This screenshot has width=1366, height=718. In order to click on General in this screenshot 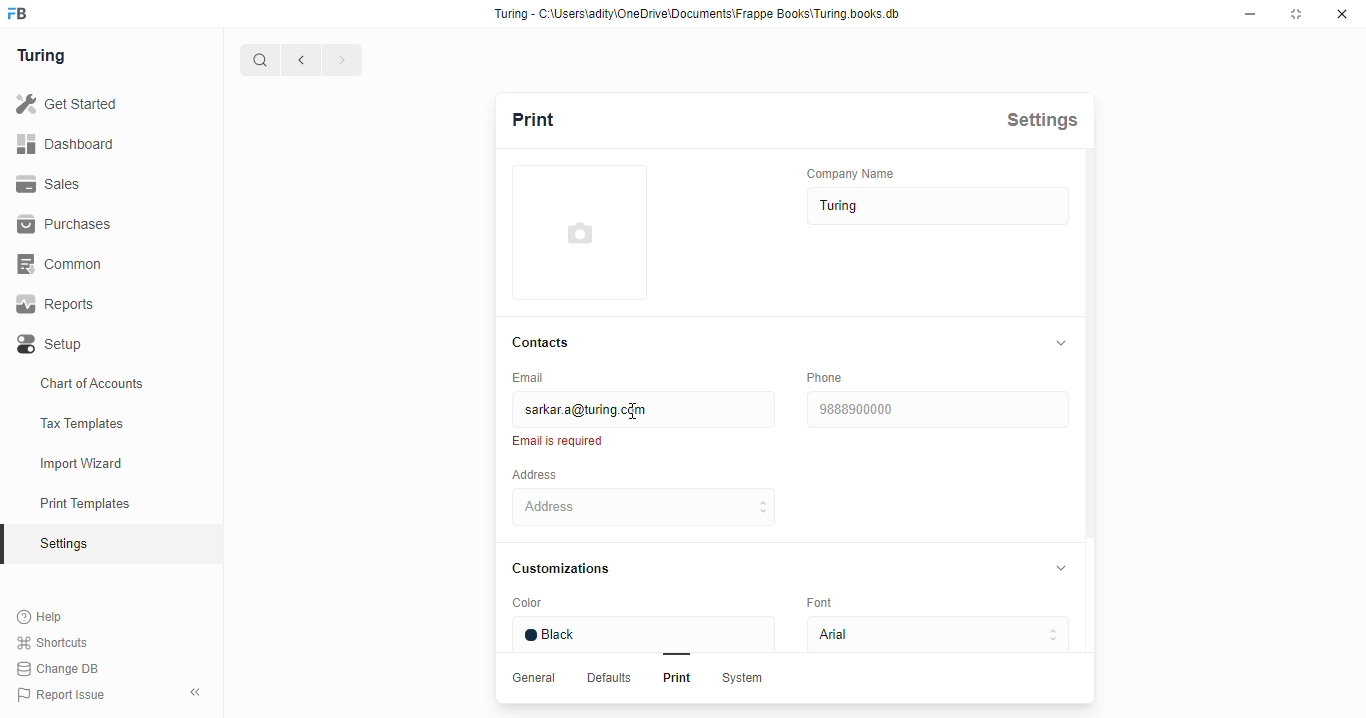, I will do `click(537, 678)`.